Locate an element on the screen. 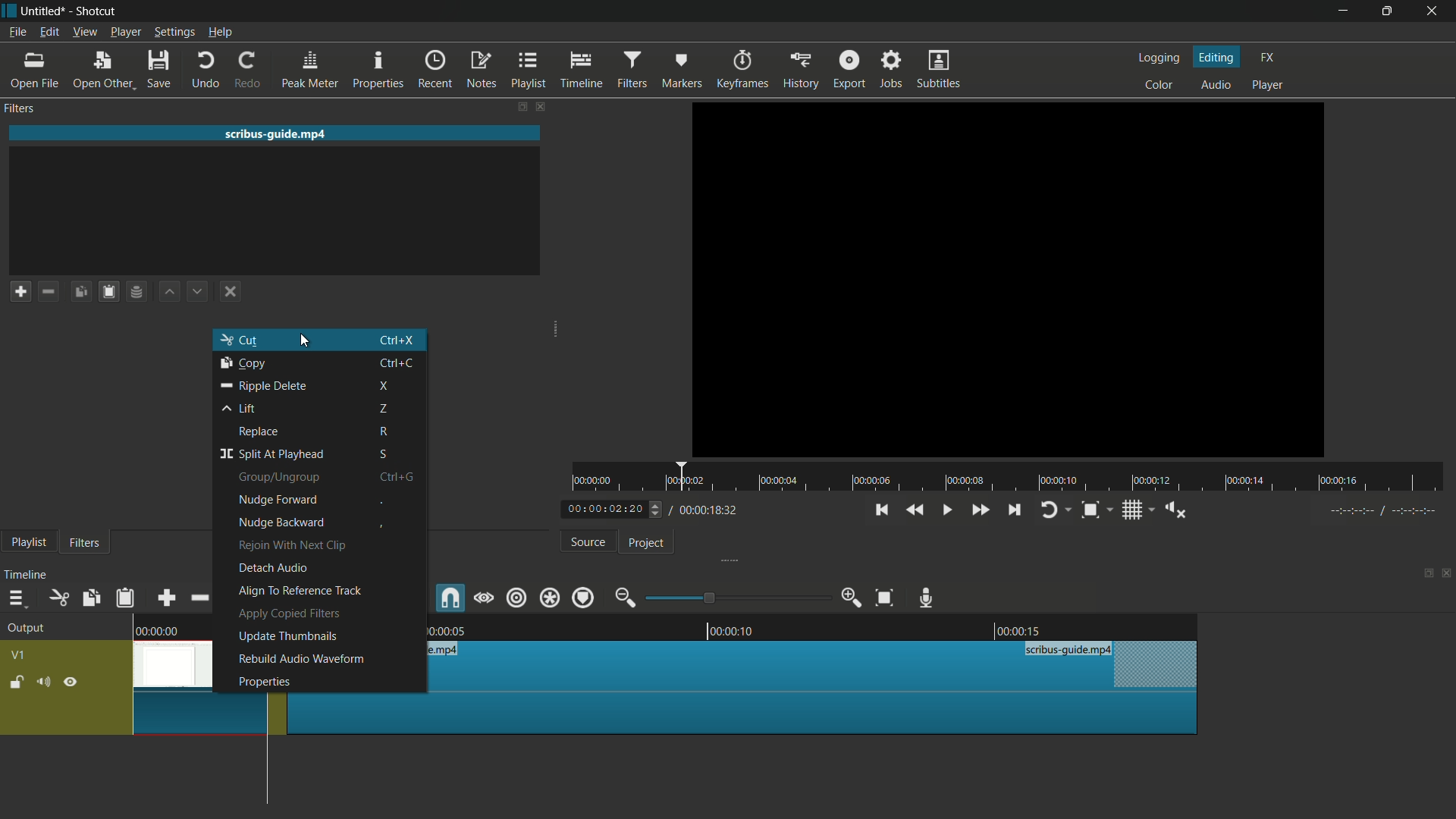  filters is located at coordinates (83, 541).